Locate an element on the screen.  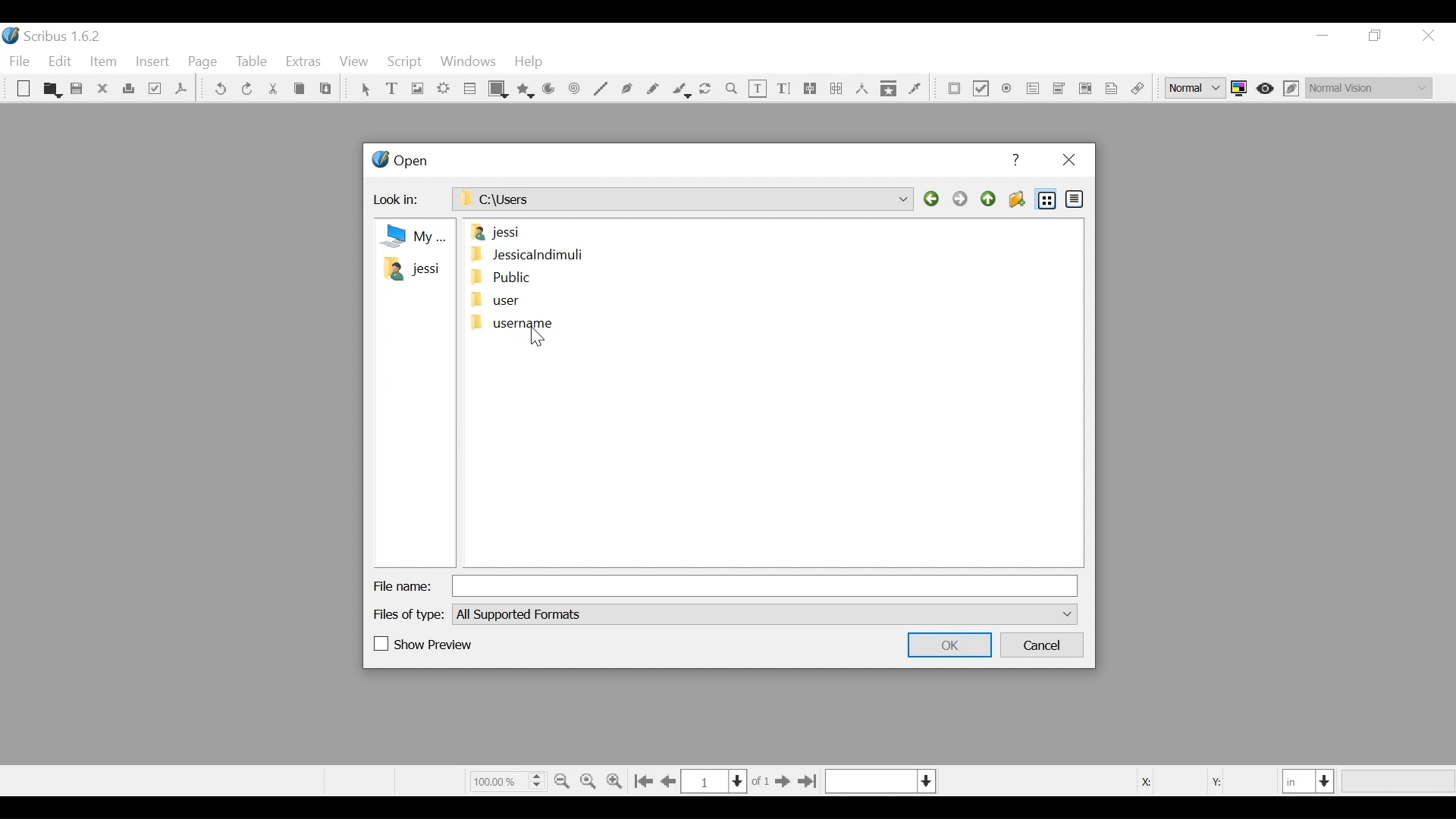
View is located at coordinates (353, 63).